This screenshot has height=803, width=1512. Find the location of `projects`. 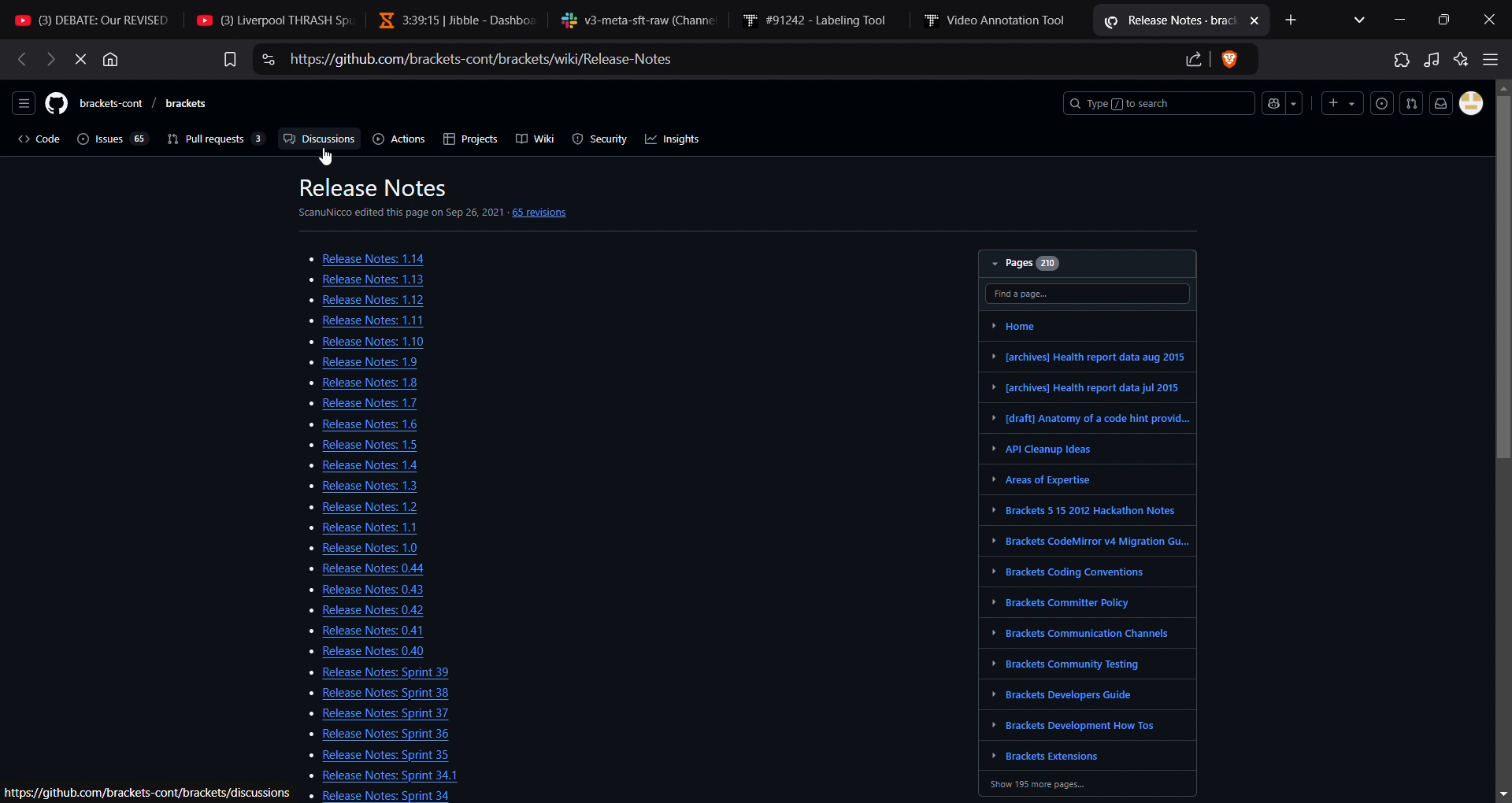

projects is located at coordinates (465, 139).